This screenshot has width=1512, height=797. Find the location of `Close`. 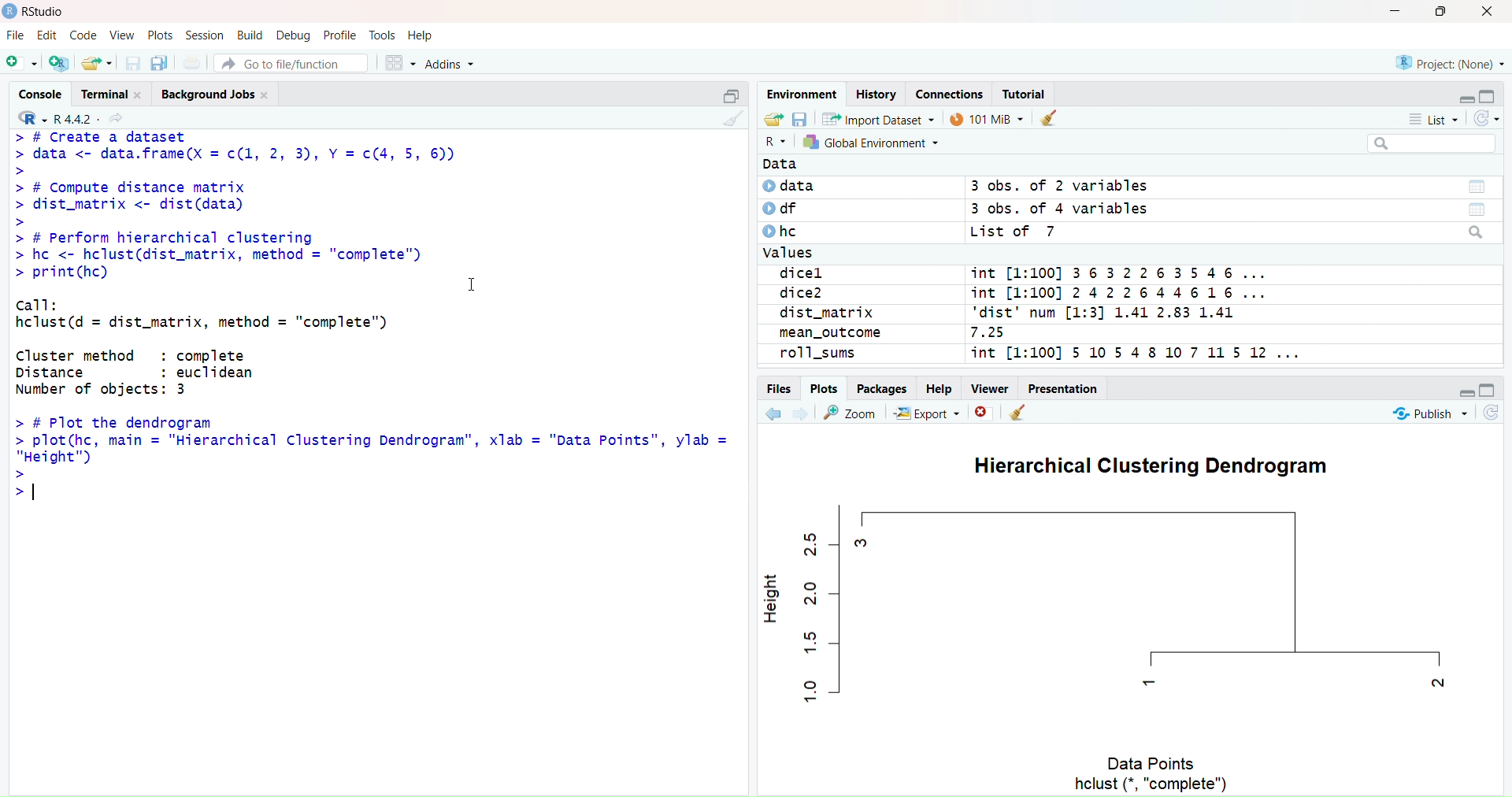

Close is located at coordinates (985, 411).